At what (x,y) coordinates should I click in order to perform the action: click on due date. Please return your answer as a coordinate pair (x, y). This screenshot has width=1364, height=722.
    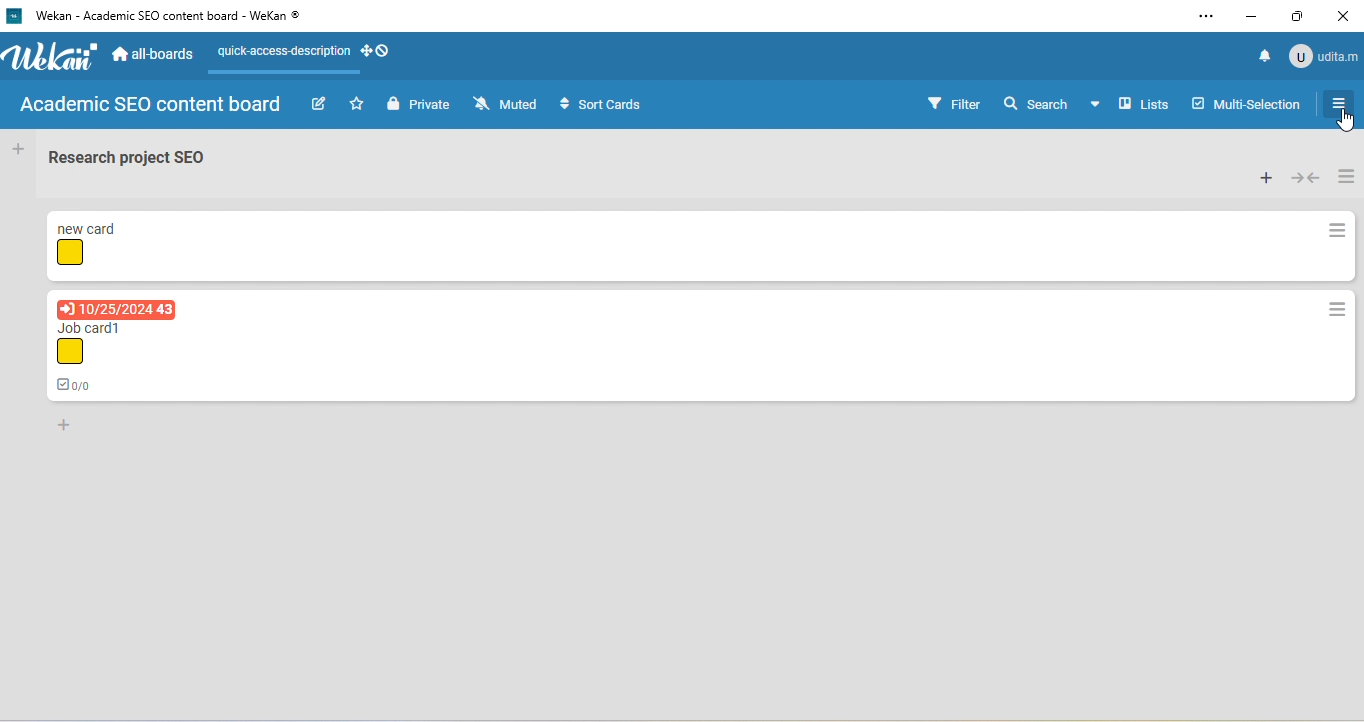
    Looking at the image, I should click on (117, 308).